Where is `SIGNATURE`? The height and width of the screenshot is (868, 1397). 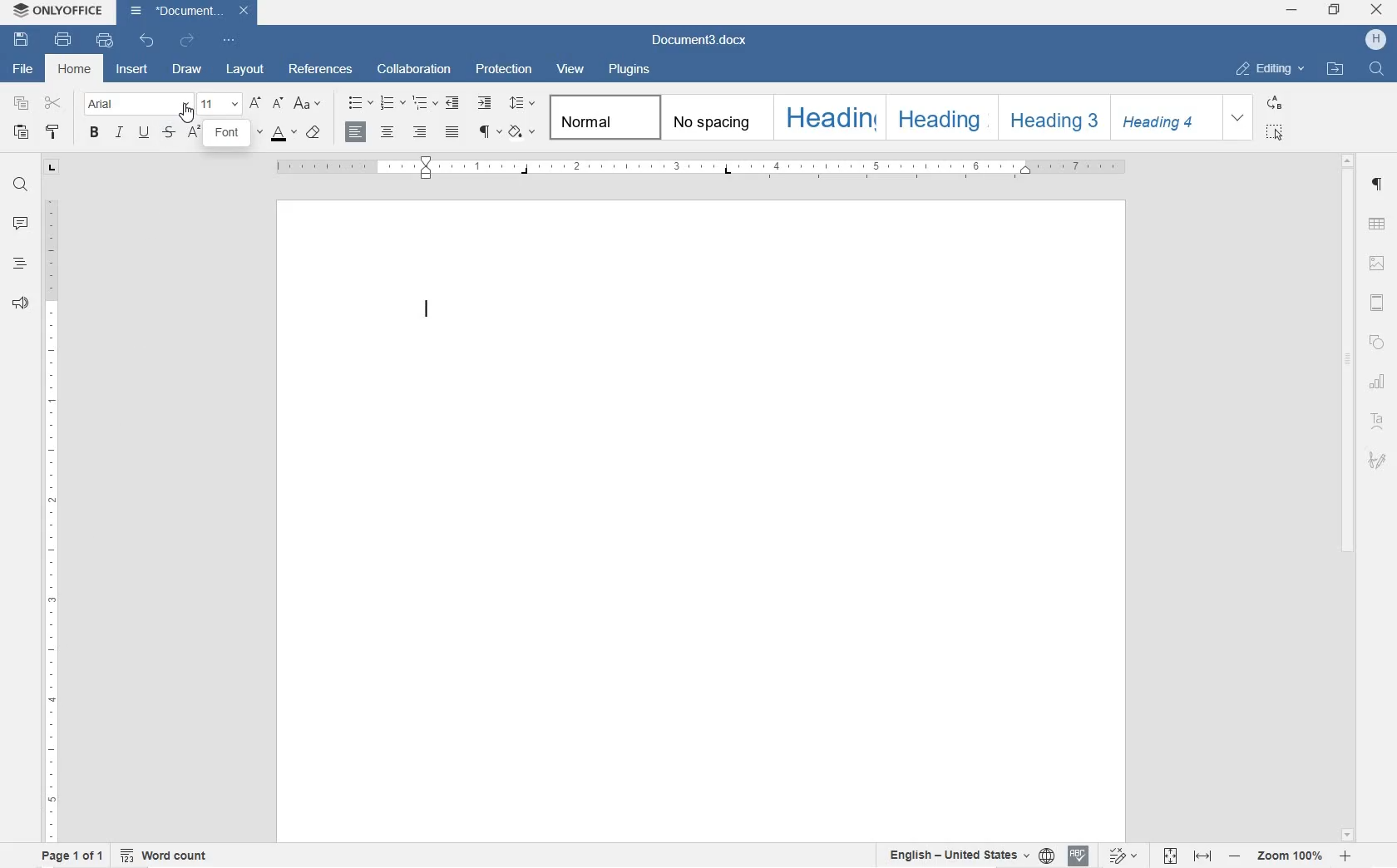
SIGNATURE is located at coordinates (1377, 462).